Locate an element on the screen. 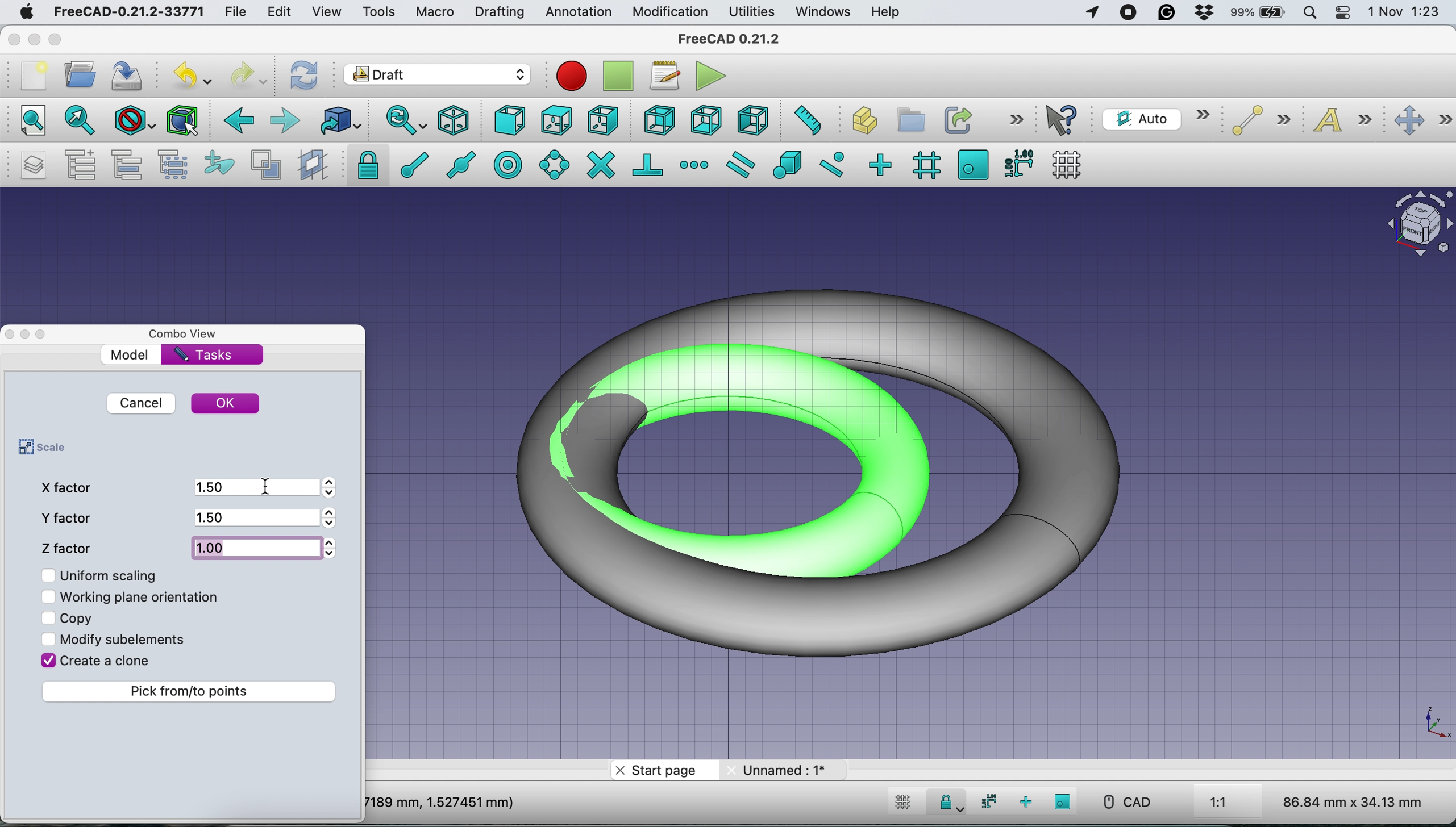  Switch between workbenches is located at coordinates (437, 76).